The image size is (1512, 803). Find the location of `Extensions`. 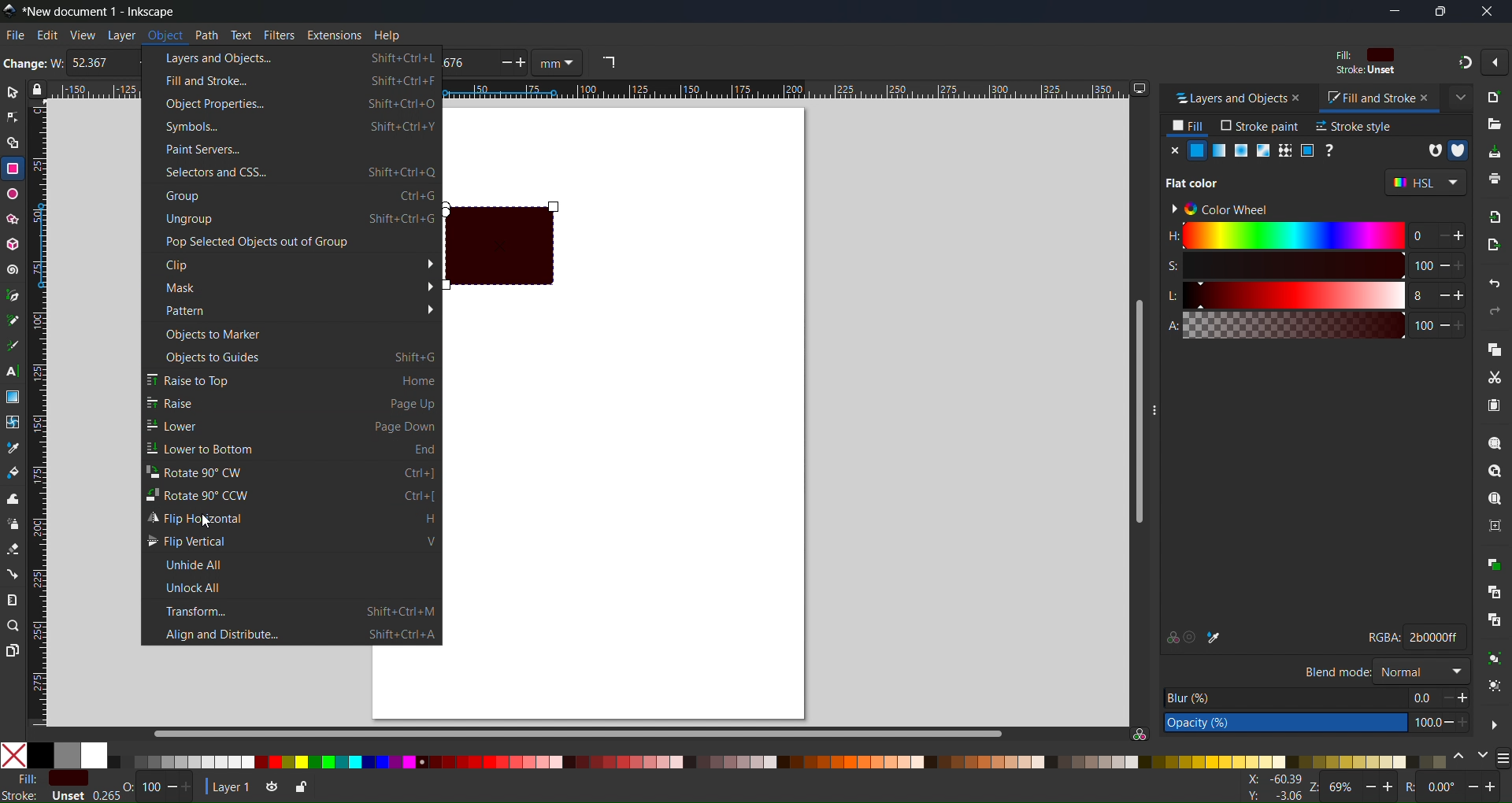

Extensions is located at coordinates (336, 35).